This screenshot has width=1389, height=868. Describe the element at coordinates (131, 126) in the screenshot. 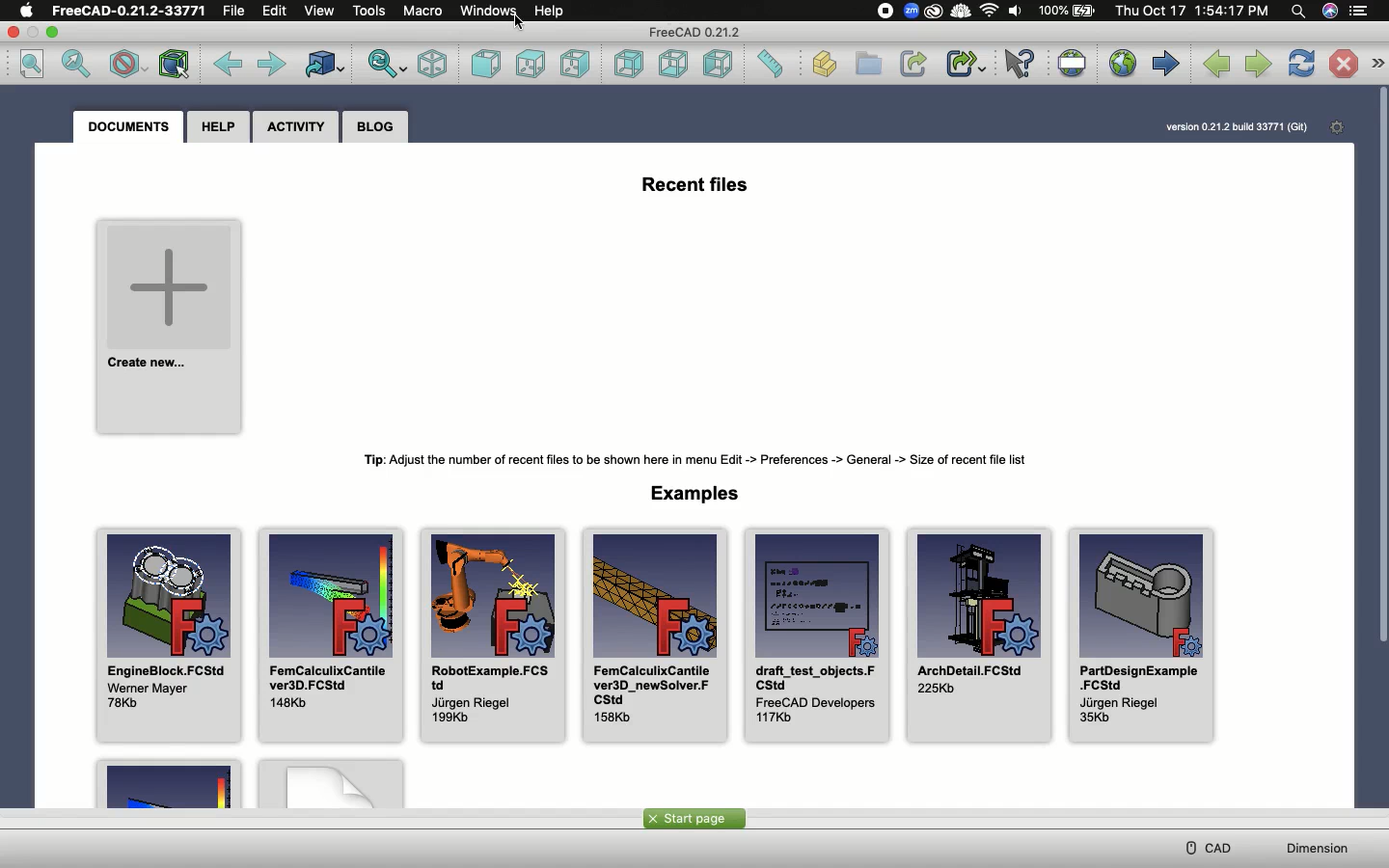

I see `Documents` at that location.